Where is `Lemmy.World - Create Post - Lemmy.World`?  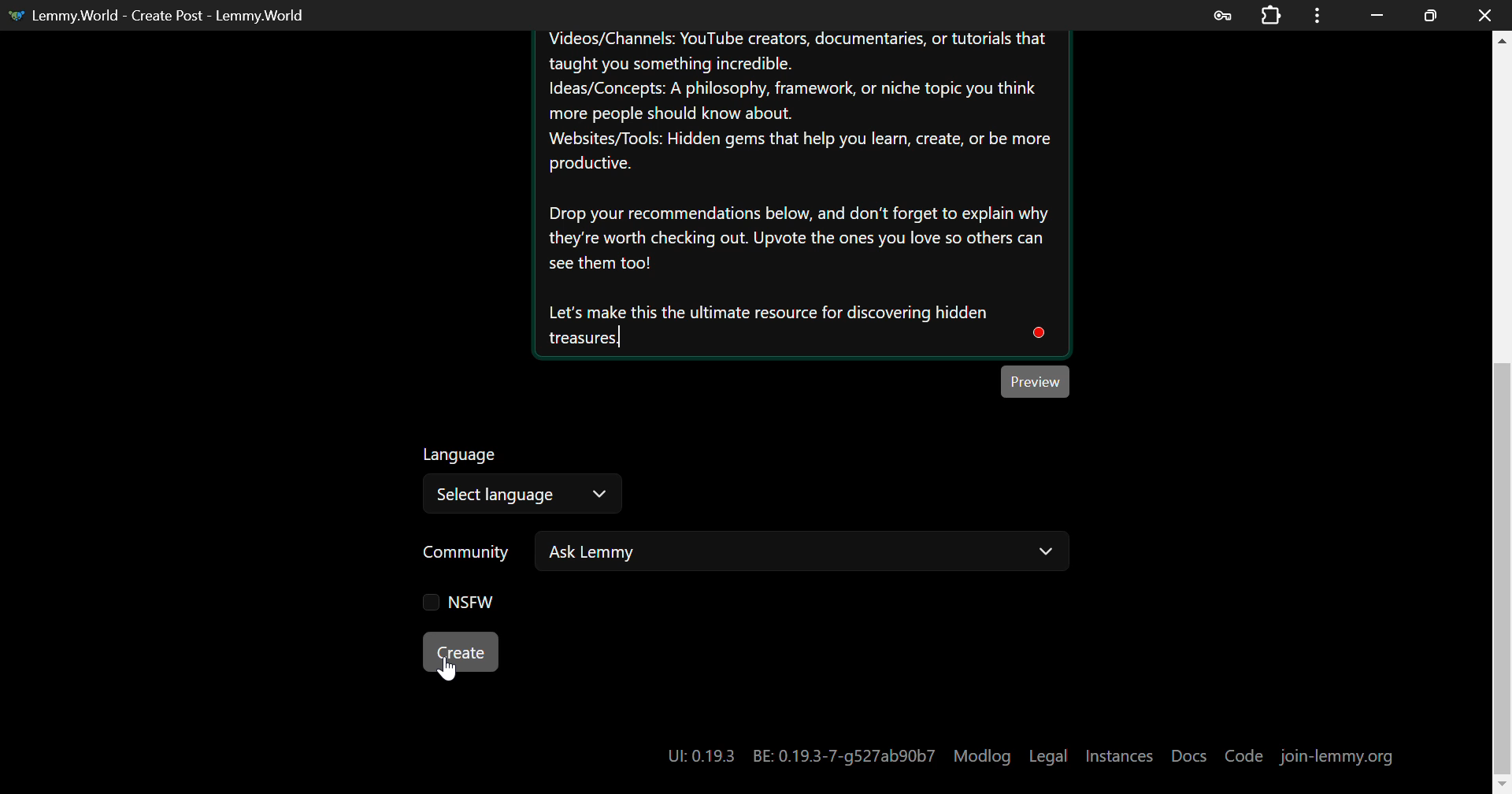
Lemmy.World - Create Post - Lemmy.World is located at coordinates (162, 15).